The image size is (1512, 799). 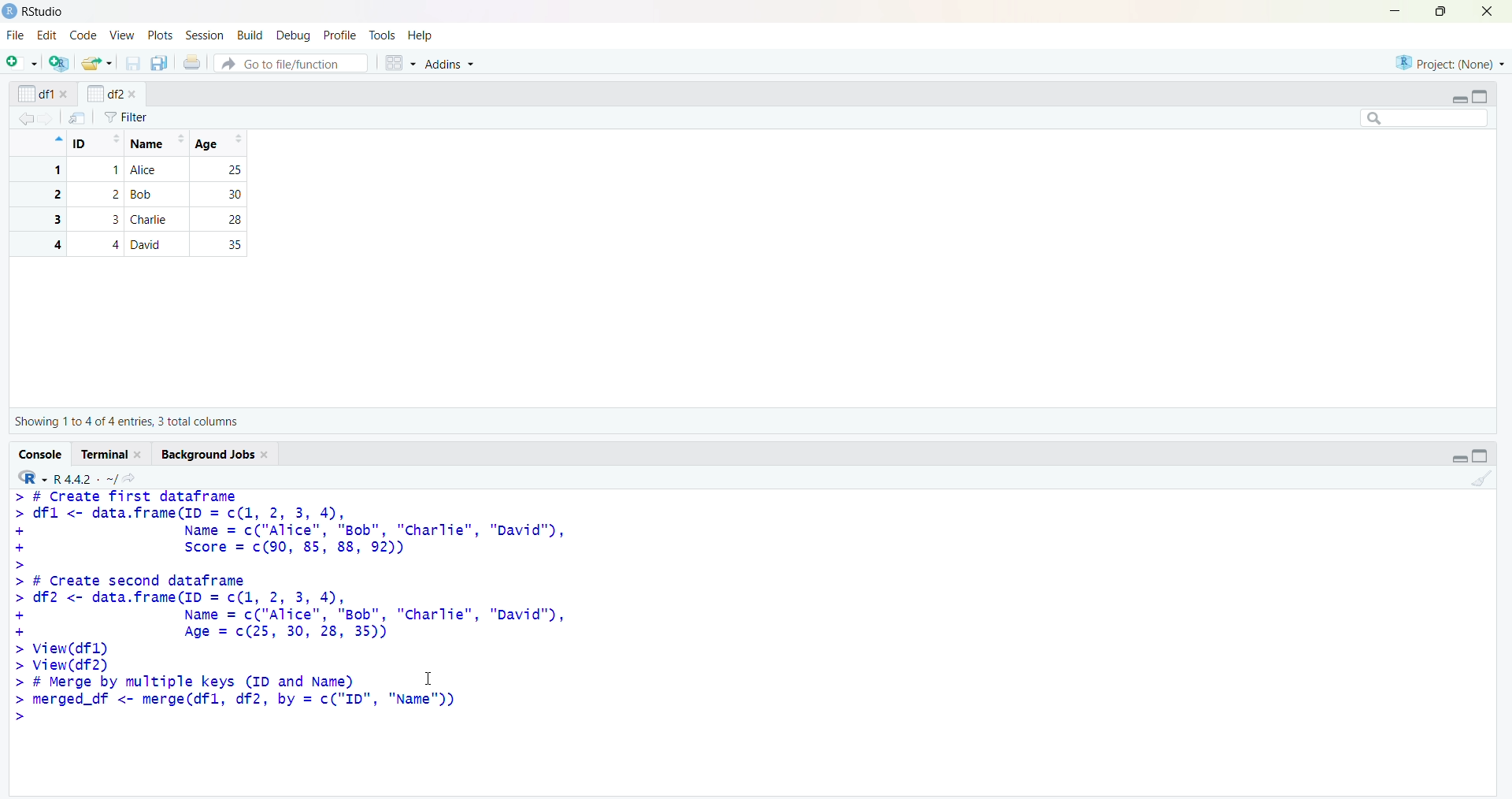 I want to click on project (none), so click(x=1450, y=62).